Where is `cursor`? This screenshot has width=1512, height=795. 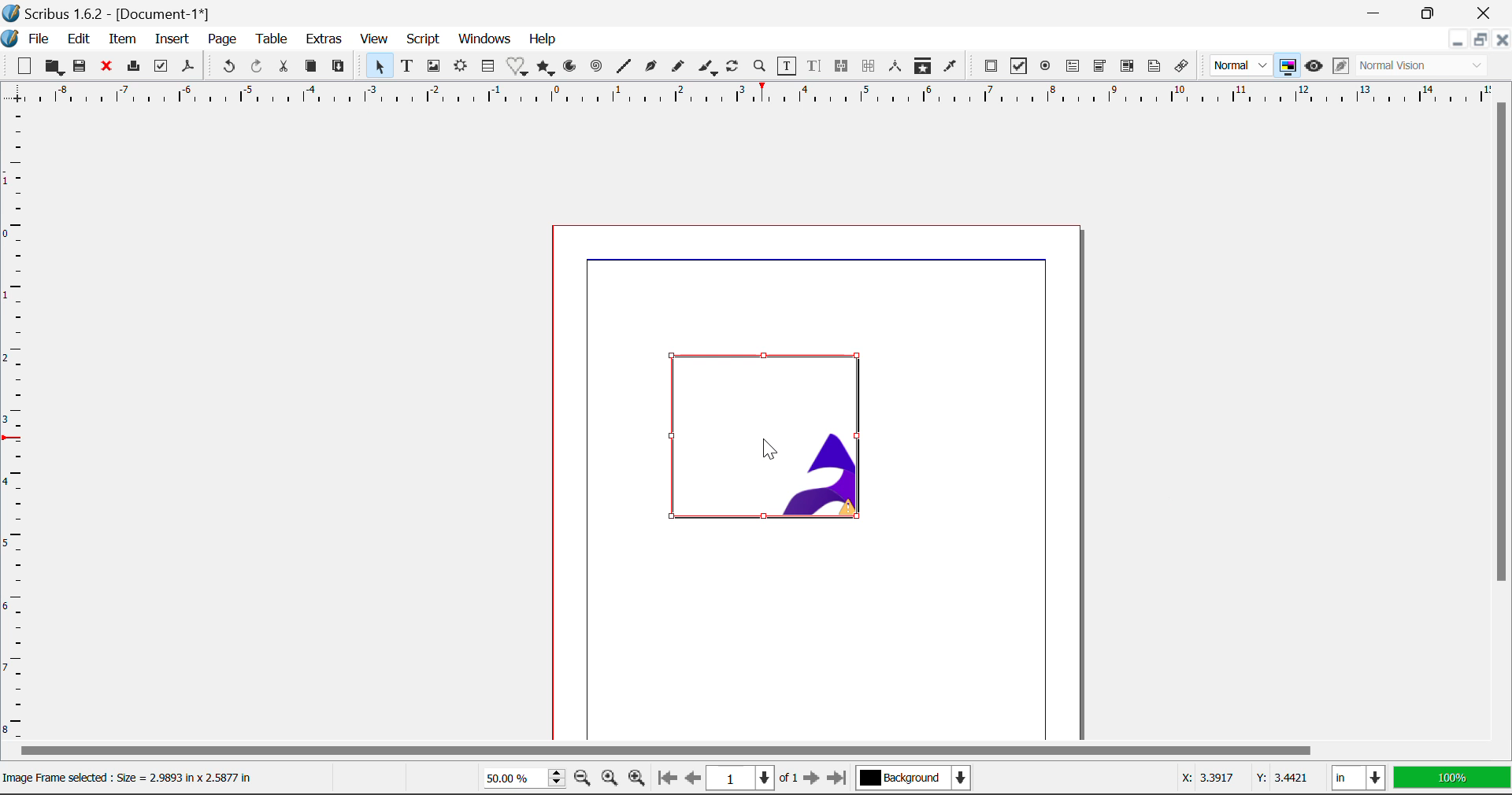
cursor is located at coordinates (774, 449).